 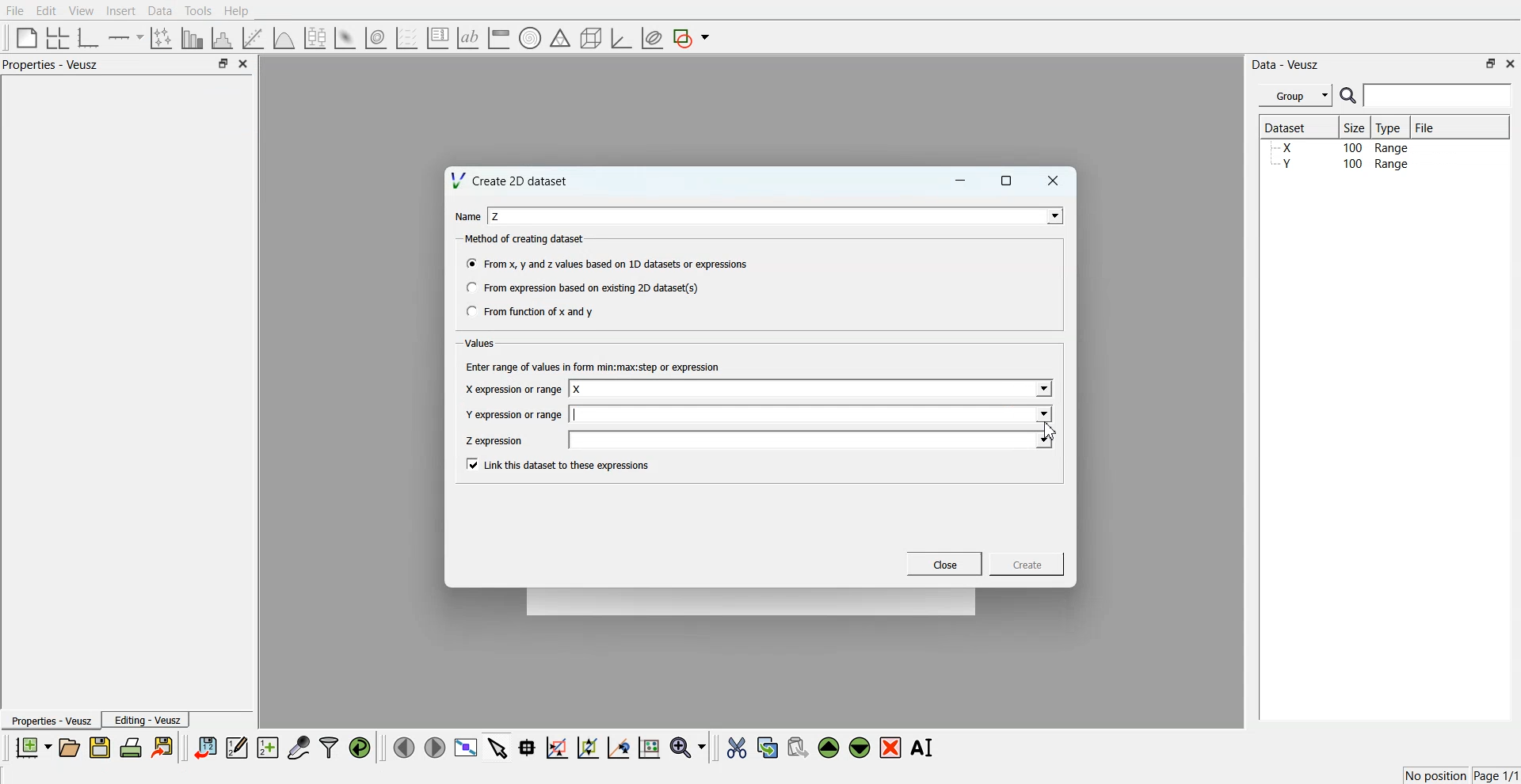 What do you see at coordinates (406, 39) in the screenshot?
I see `Plot a vector field` at bounding box center [406, 39].